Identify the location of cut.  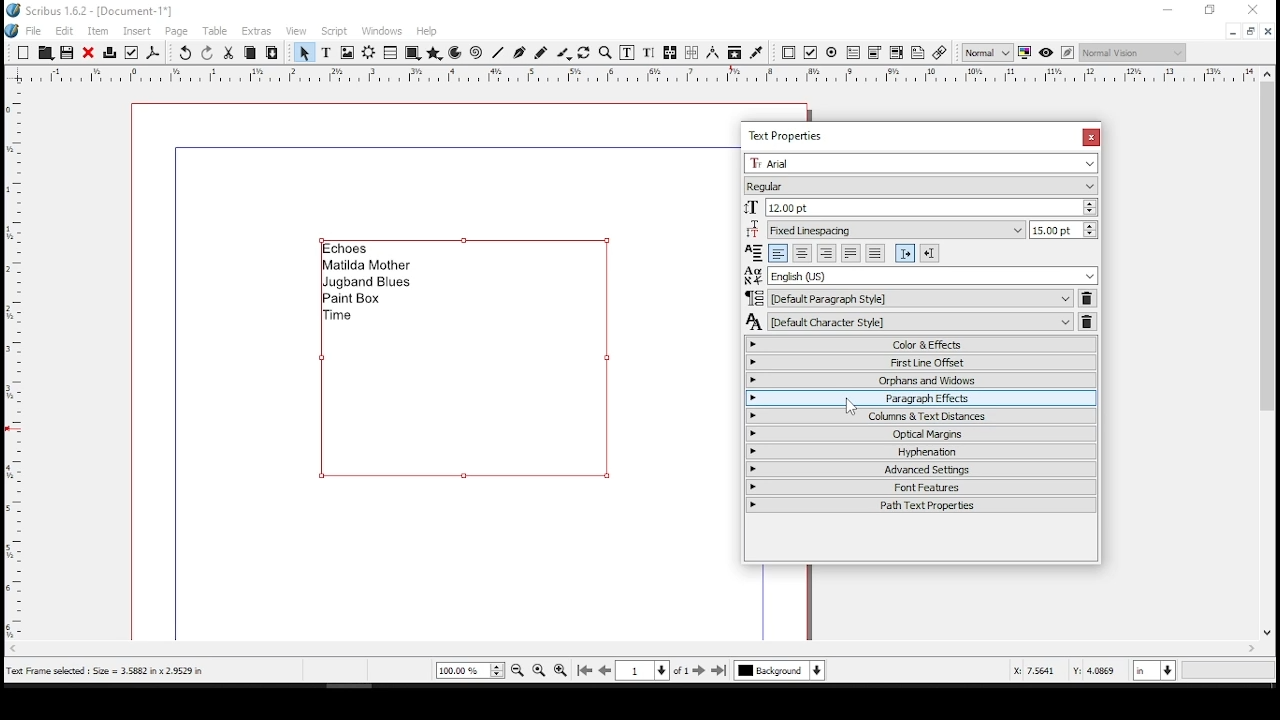
(229, 52).